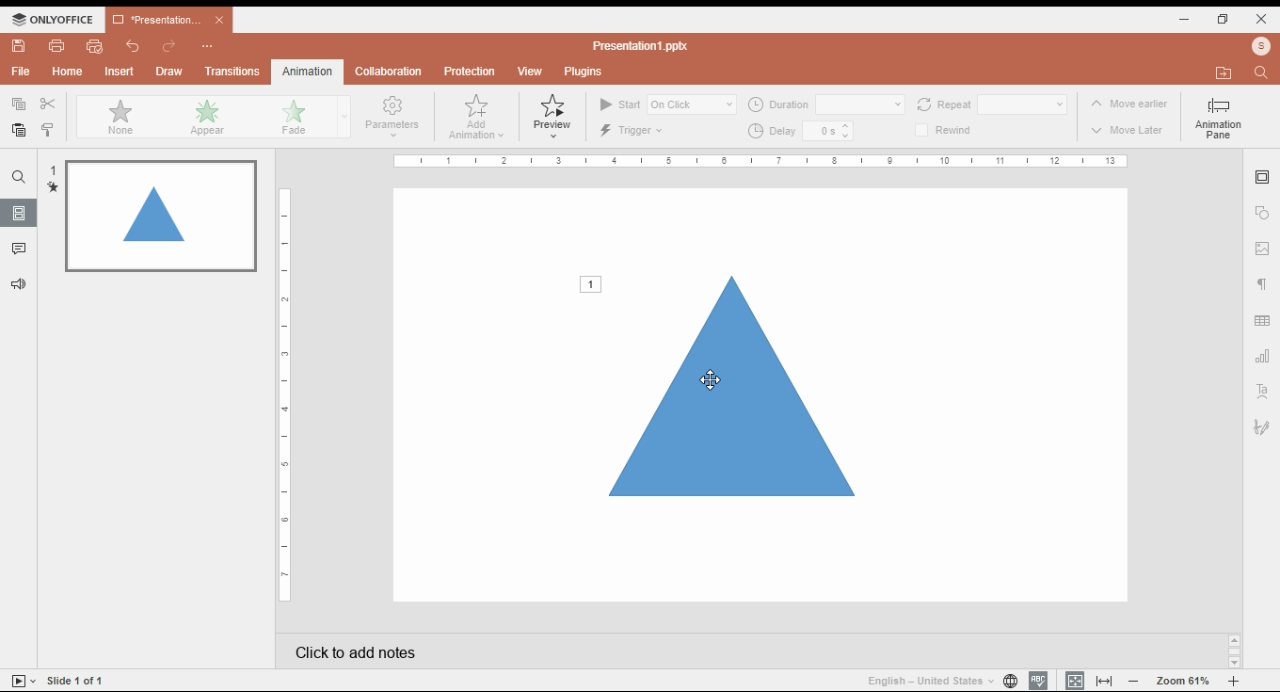 This screenshot has height=692, width=1280. What do you see at coordinates (19, 680) in the screenshot?
I see `start slide show` at bounding box center [19, 680].